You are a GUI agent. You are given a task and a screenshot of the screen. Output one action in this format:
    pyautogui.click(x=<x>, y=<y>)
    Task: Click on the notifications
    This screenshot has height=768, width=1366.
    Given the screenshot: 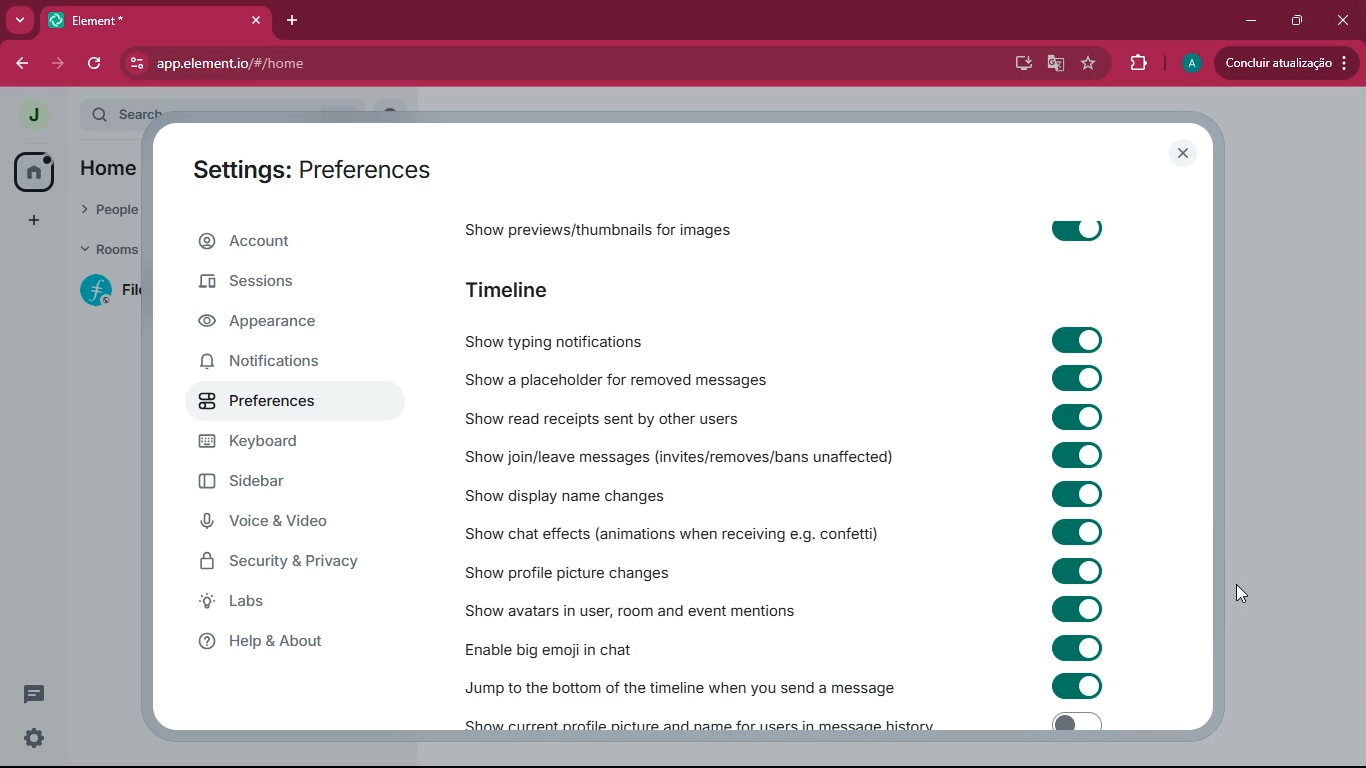 What is the action you would take?
    pyautogui.click(x=273, y=363)
    